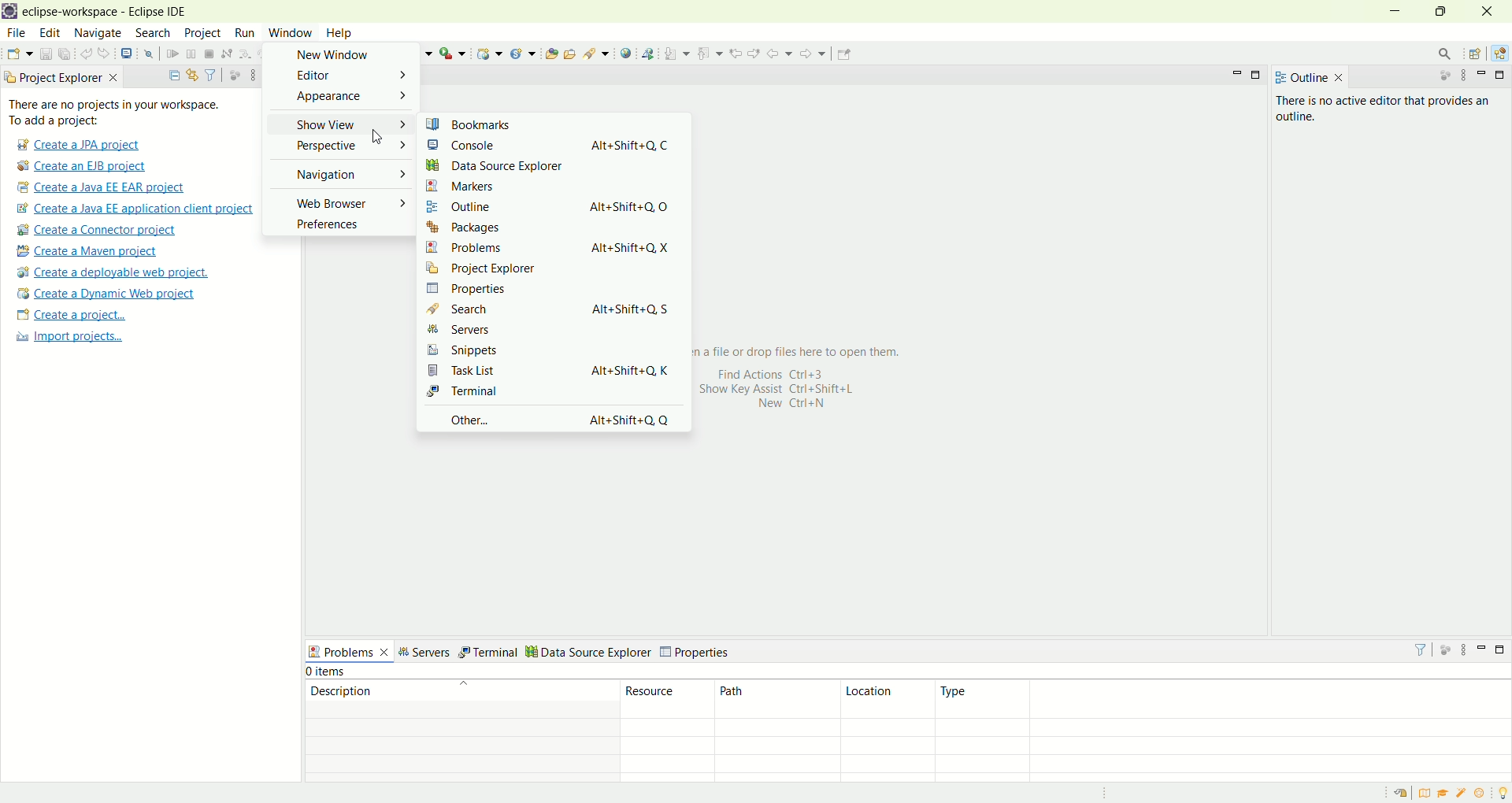  What do you see at coordinates (133, 113) in the screenshot?
I see `There are no projects inn your workspace. To add a project:` at bounding box center [133, 113].